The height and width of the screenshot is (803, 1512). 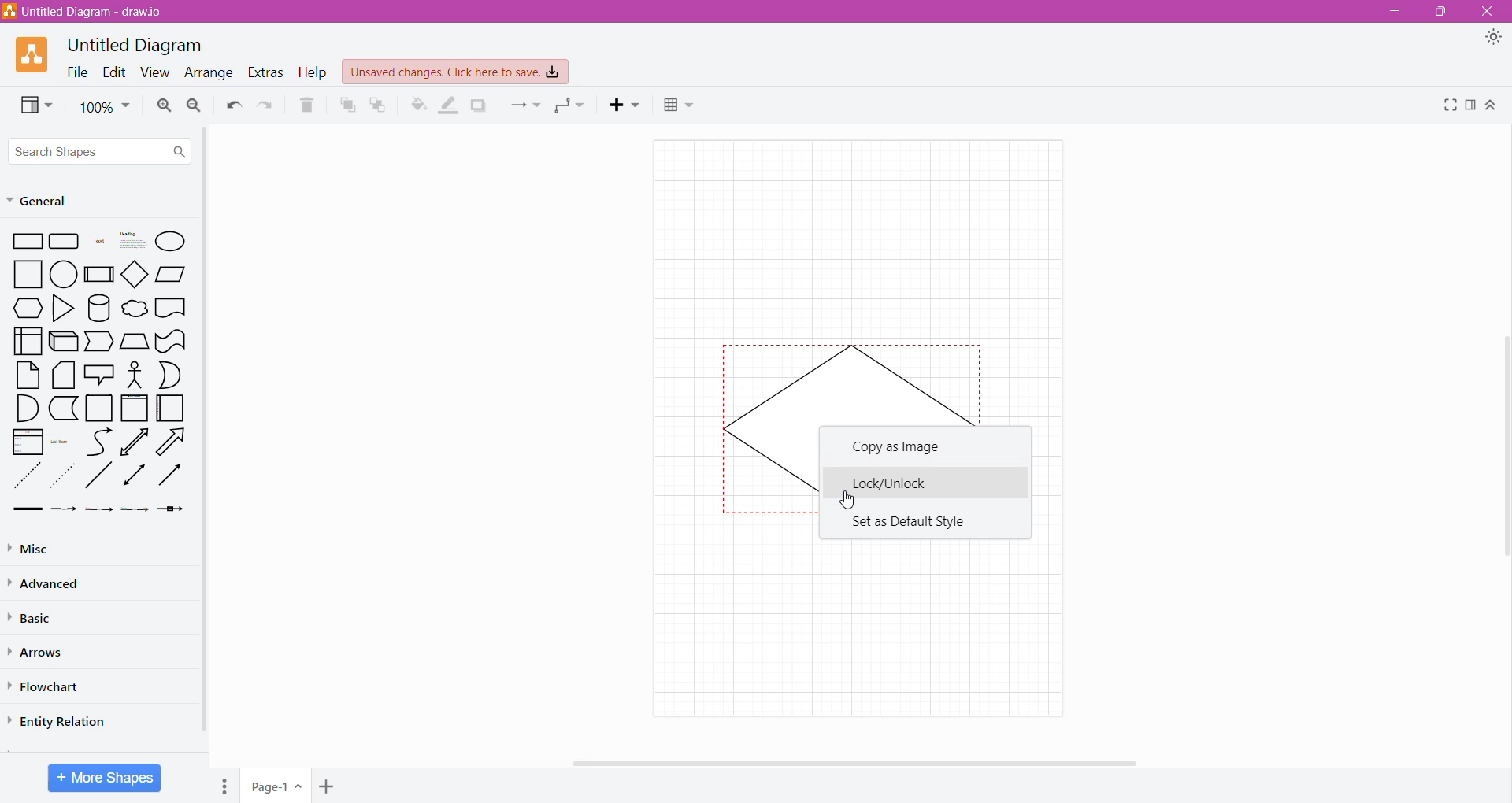 I want to click on Title Bar Color Change on Click, so click(x=767, y=12).